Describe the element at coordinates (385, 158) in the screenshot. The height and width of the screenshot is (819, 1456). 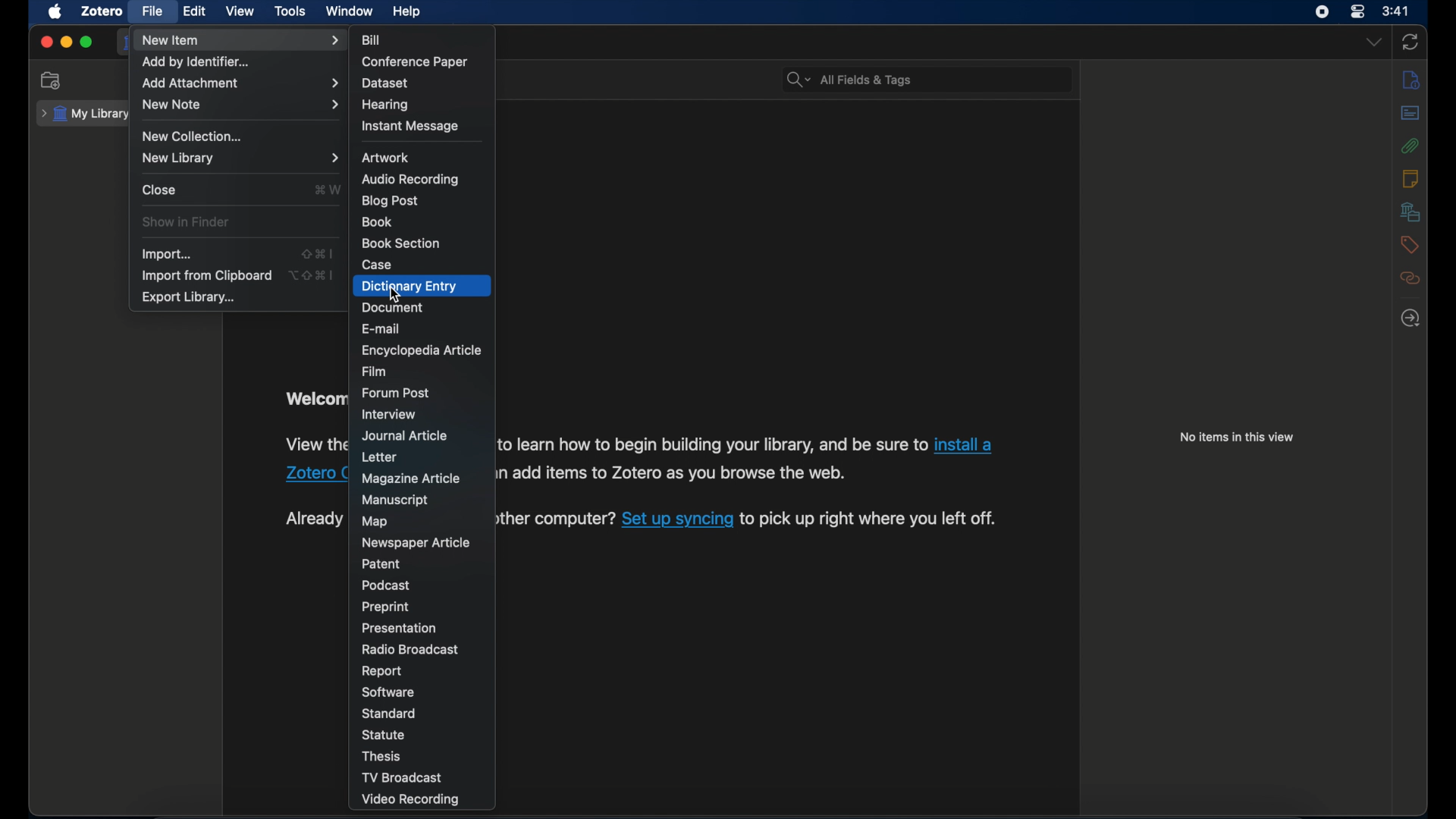
I see `artwork` at that location.